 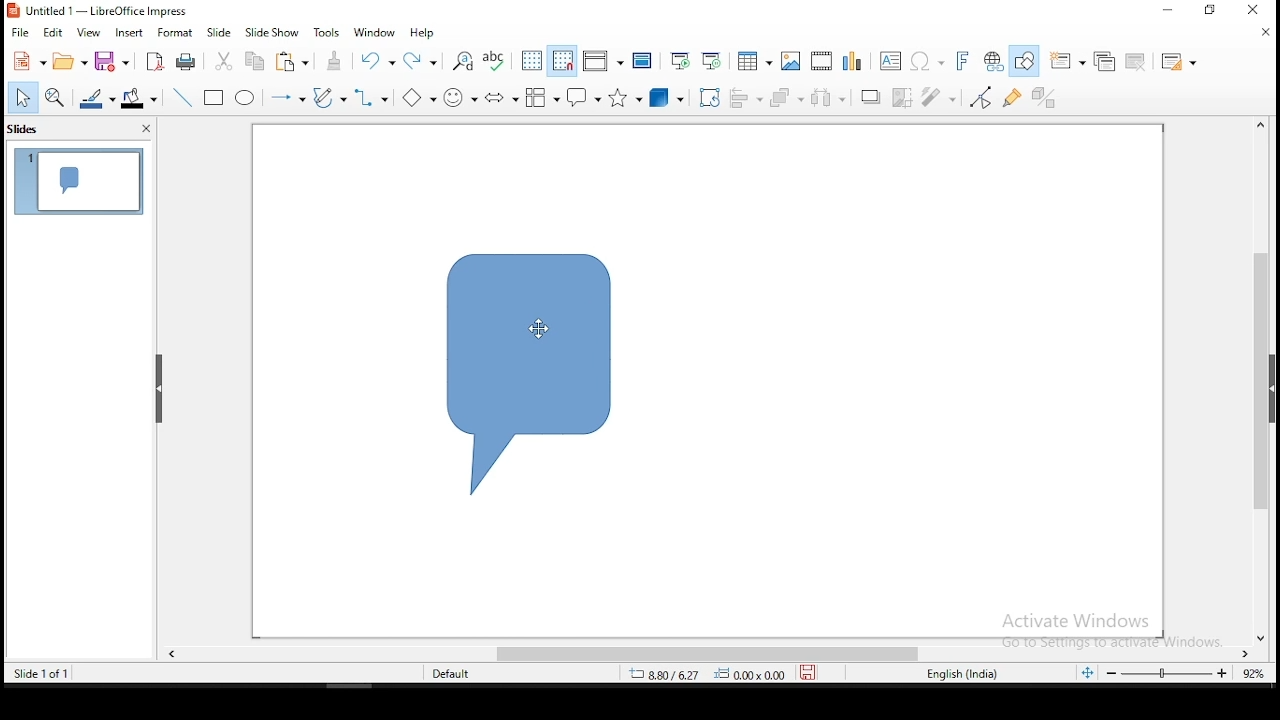 What do you see at coordinates (19, 32) in the screenshot?
I see `file` at bounding box center [19, 32].